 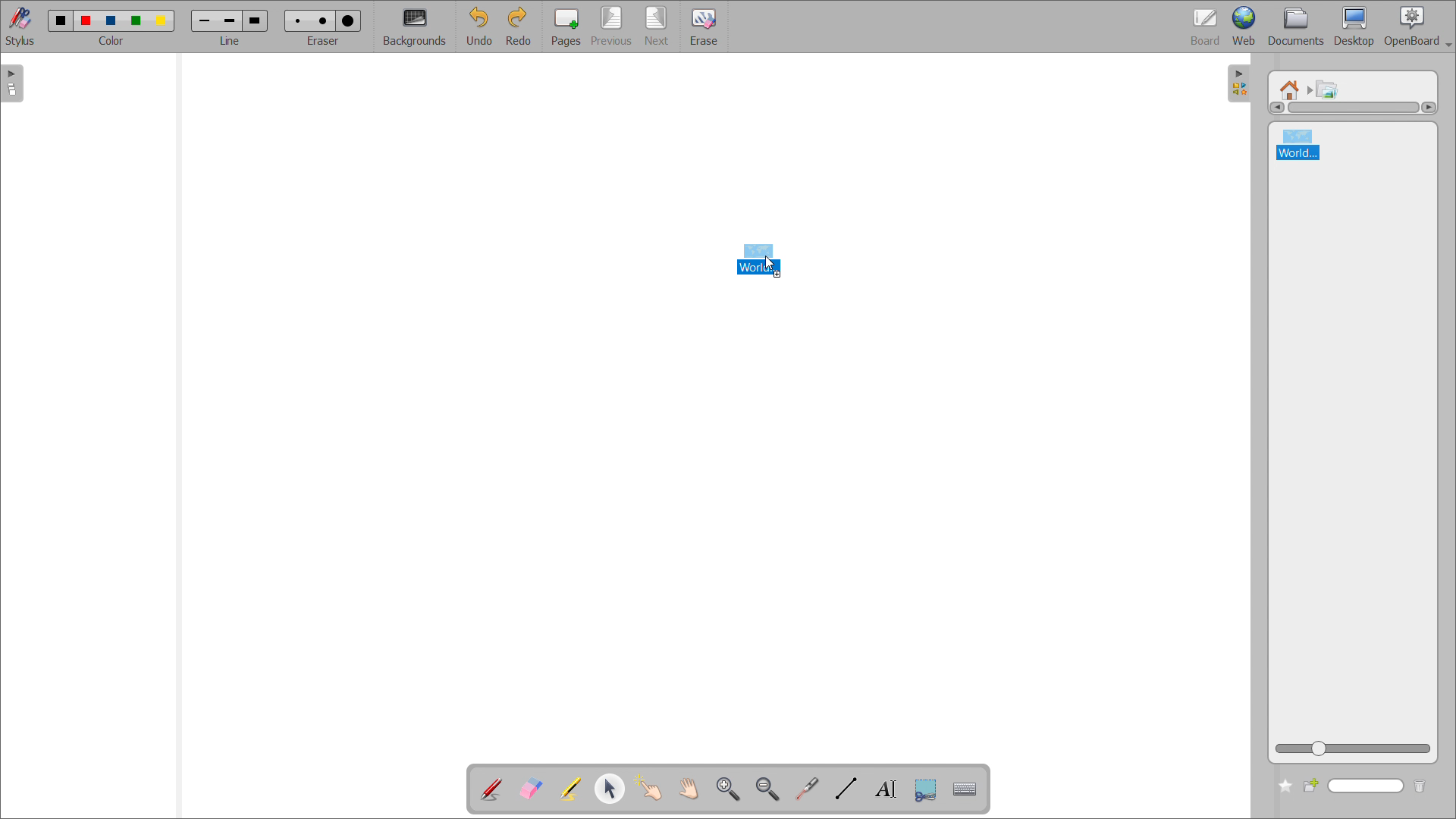 I want to click on add annotation, so click(x=492, y=789).